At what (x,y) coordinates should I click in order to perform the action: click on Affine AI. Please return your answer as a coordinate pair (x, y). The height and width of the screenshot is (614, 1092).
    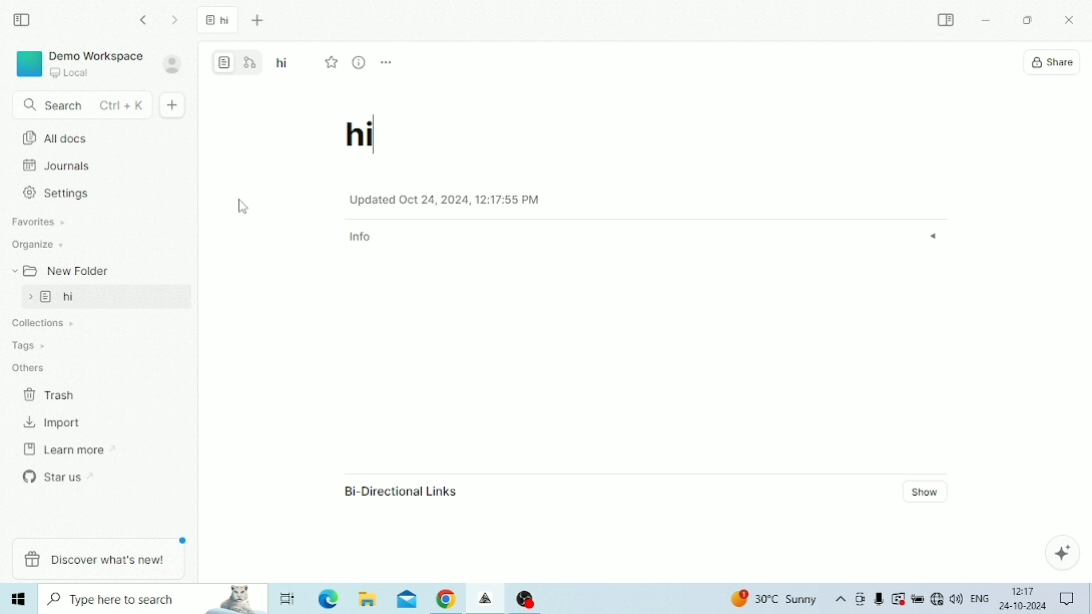
    Looking at the image, I should click on (1062, 552).